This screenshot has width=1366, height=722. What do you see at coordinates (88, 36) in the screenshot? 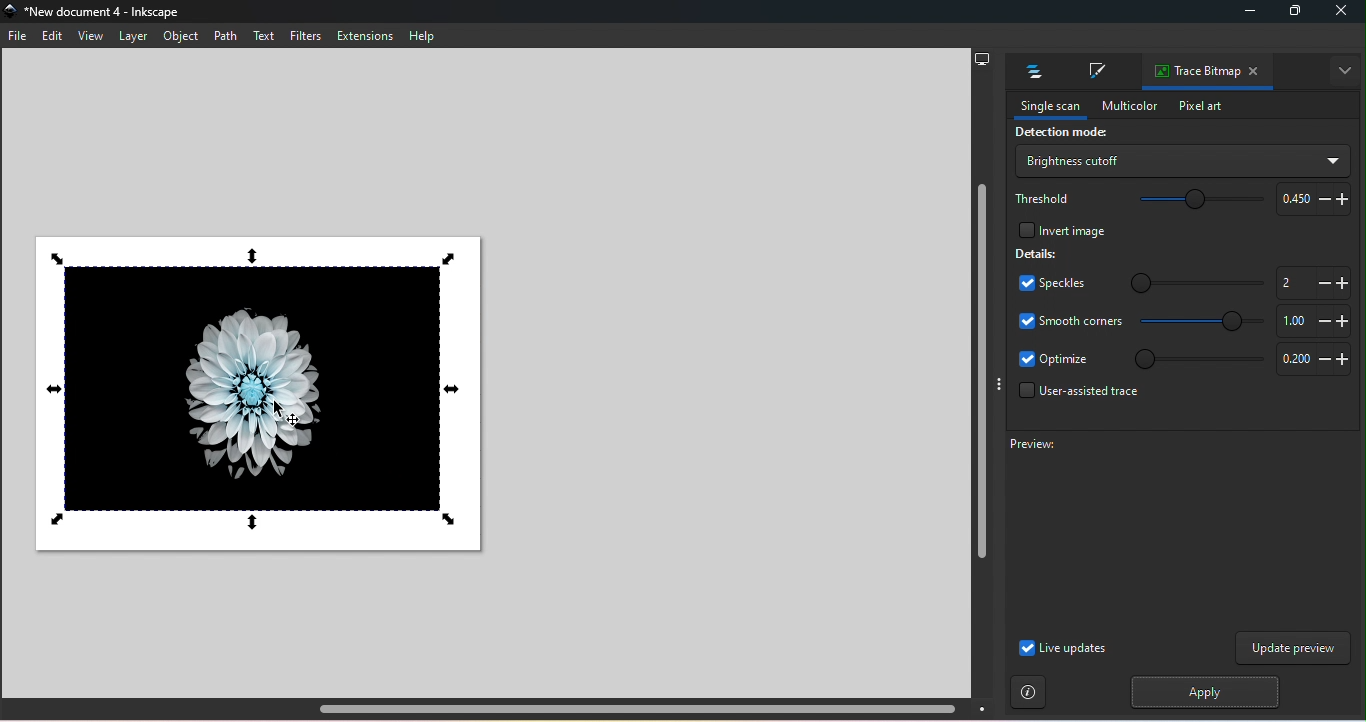
I see `View` at bounding box center [88, 36].